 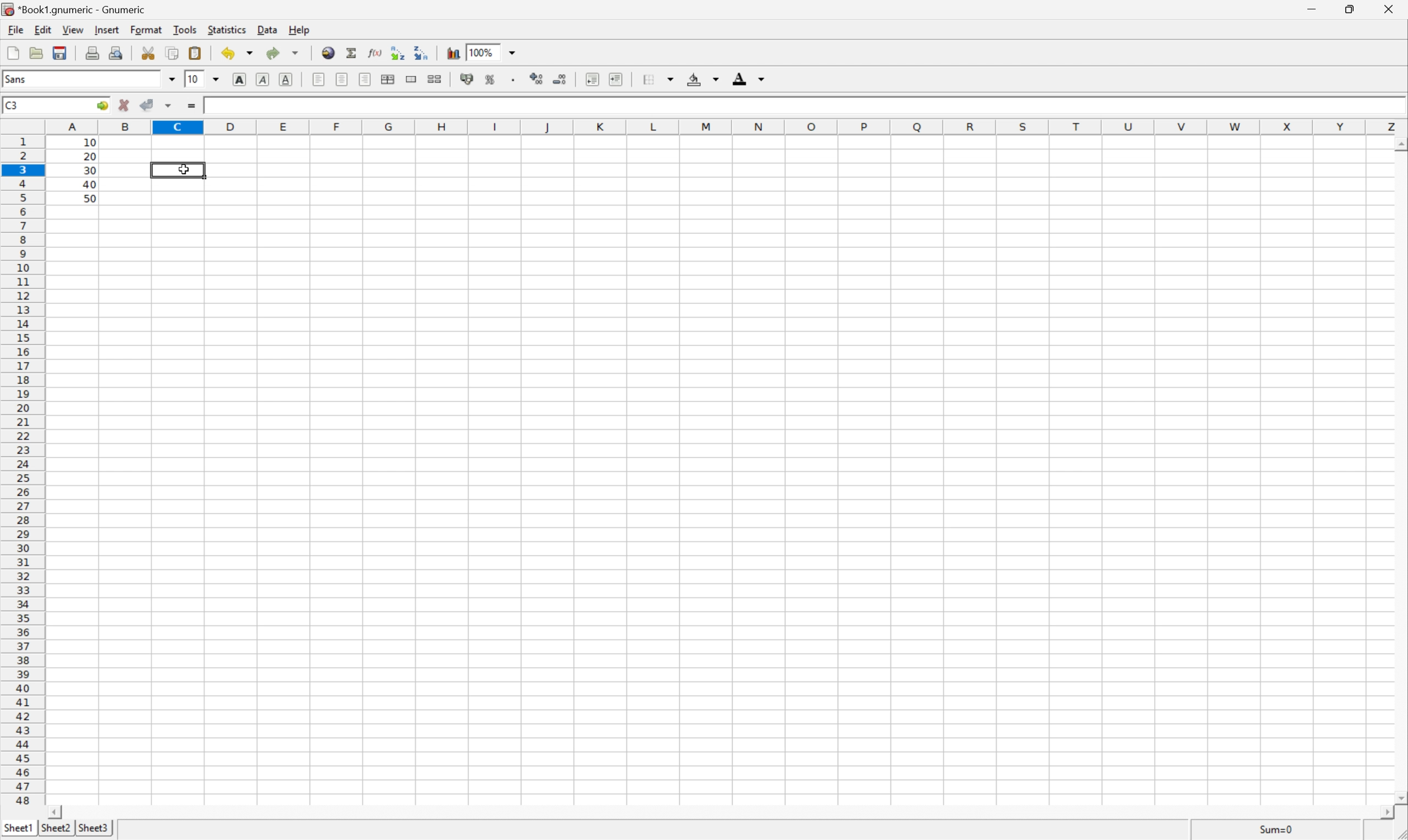 What do you see at coordinates (1399, 797) in the screenshot?
I see `Scroll down` at bounding box center [1399, 797].